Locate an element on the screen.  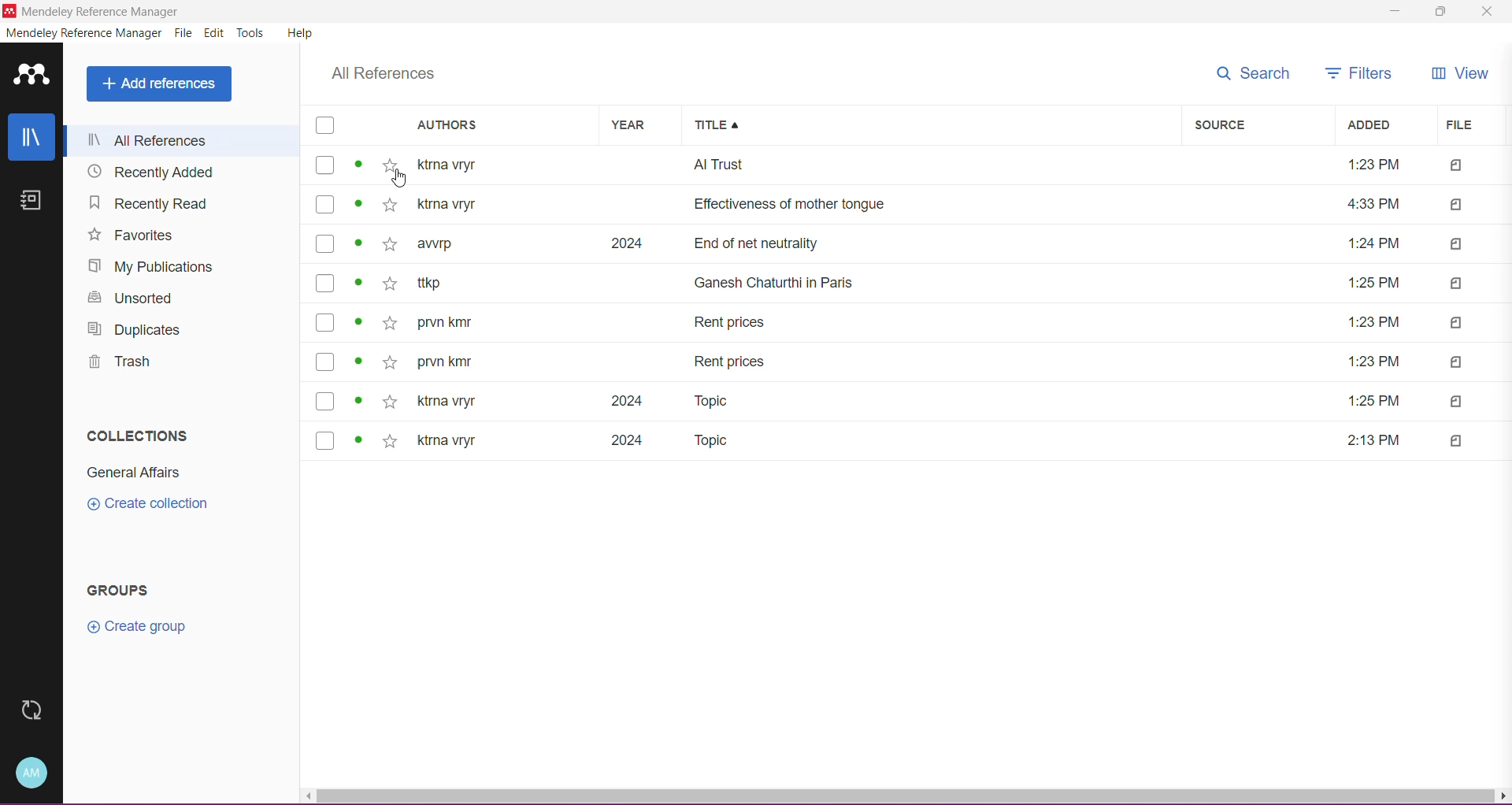
Click to select is located at coordinates (326, 441).